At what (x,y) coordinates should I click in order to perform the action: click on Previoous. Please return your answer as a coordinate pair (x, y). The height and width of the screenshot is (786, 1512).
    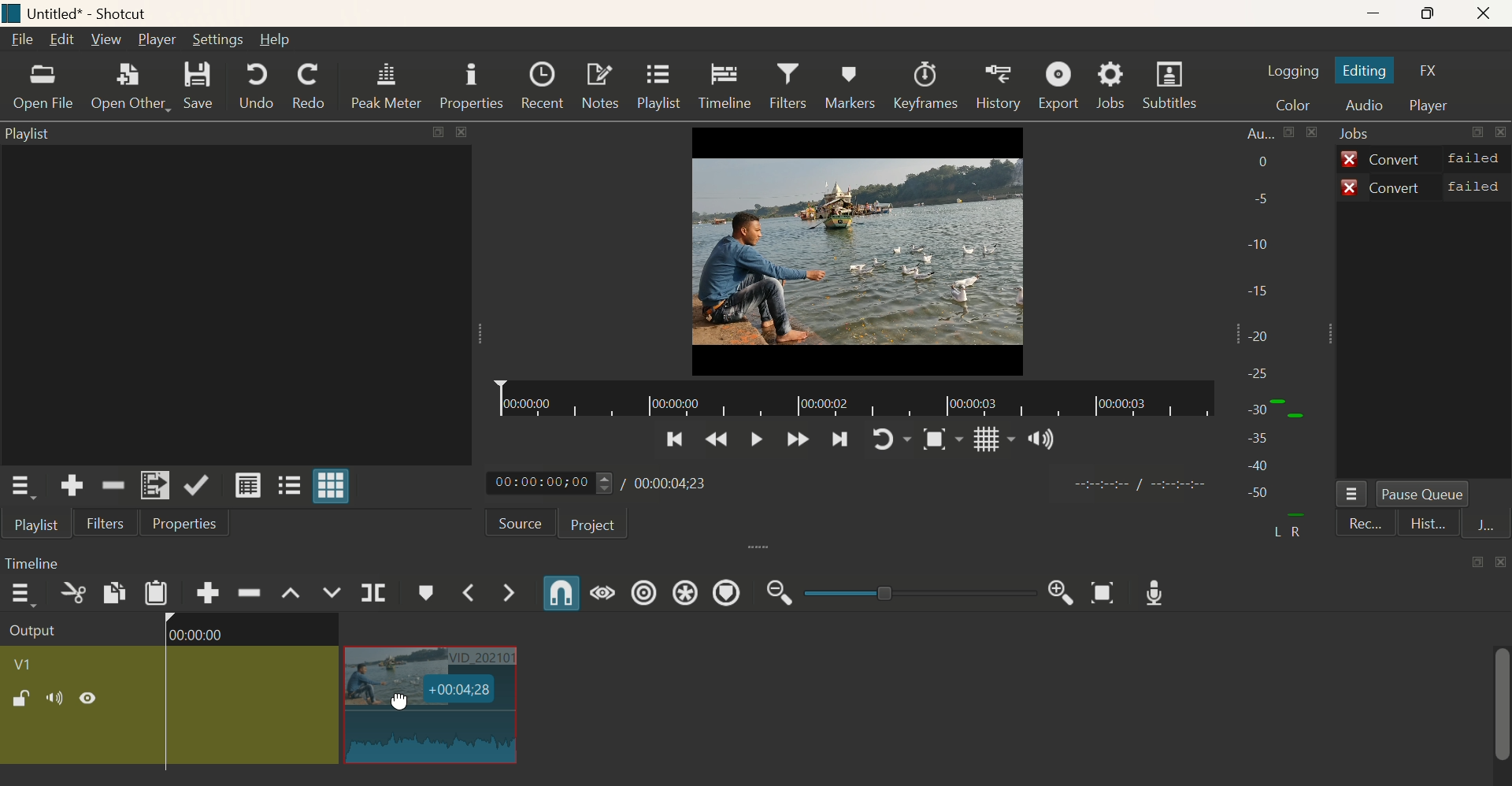
    Looking at the image, I should click on (674, 443).